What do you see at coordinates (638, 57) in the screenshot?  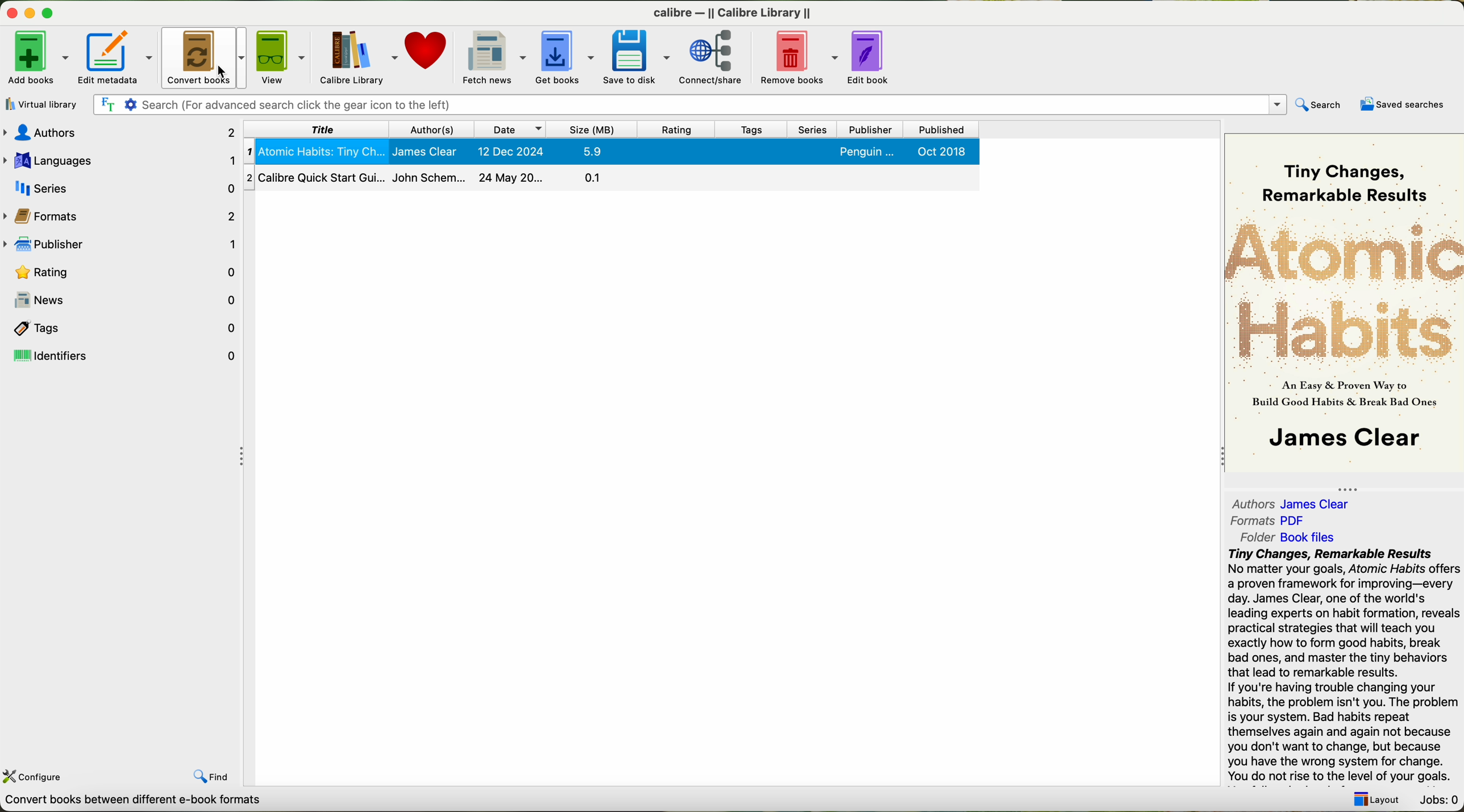 I see `save to disk` at bounding box center [638, 57].